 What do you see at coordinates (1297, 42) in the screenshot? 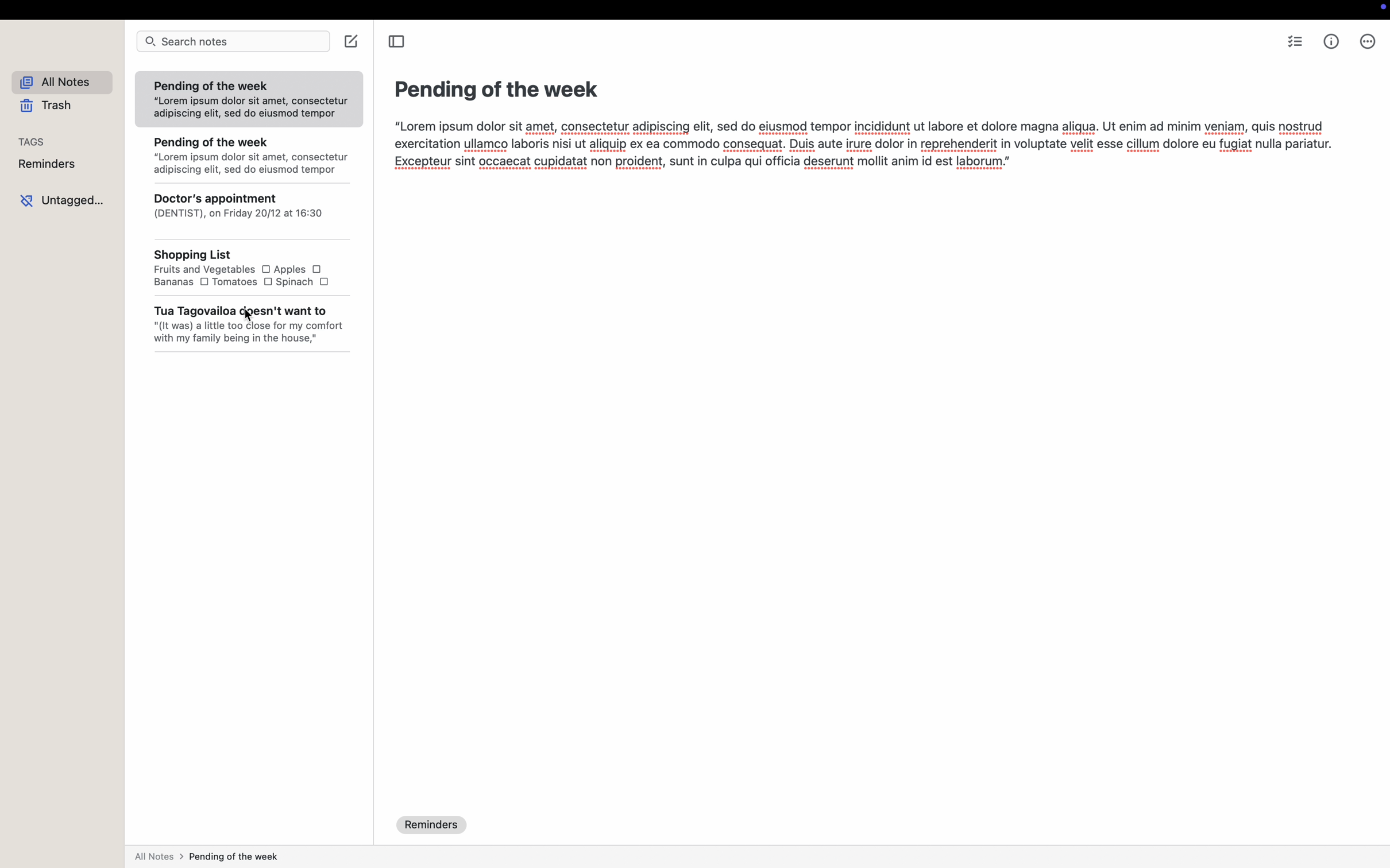
I see `check list` at bounding box center [1297, 42].